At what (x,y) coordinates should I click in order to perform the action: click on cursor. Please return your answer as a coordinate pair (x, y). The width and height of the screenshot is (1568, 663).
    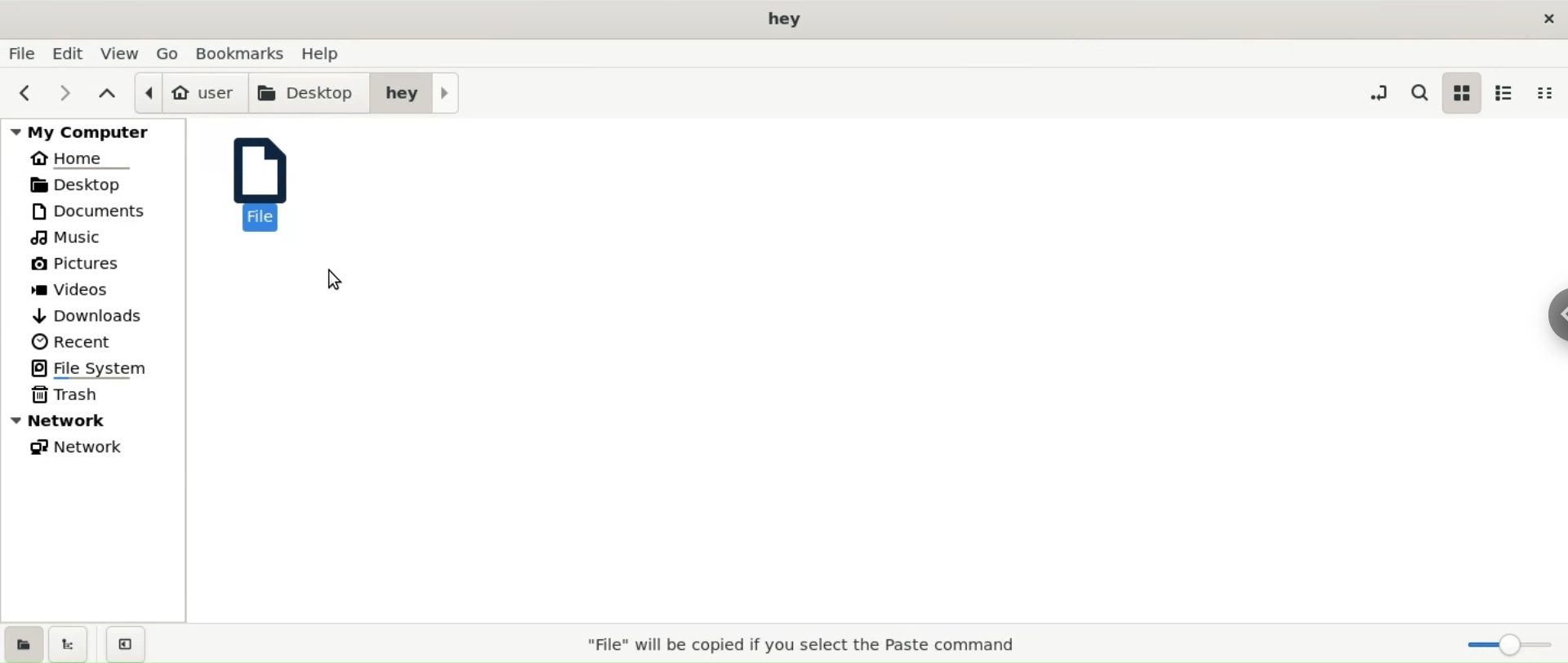
    Looking at the image, I should click on (334, 278).